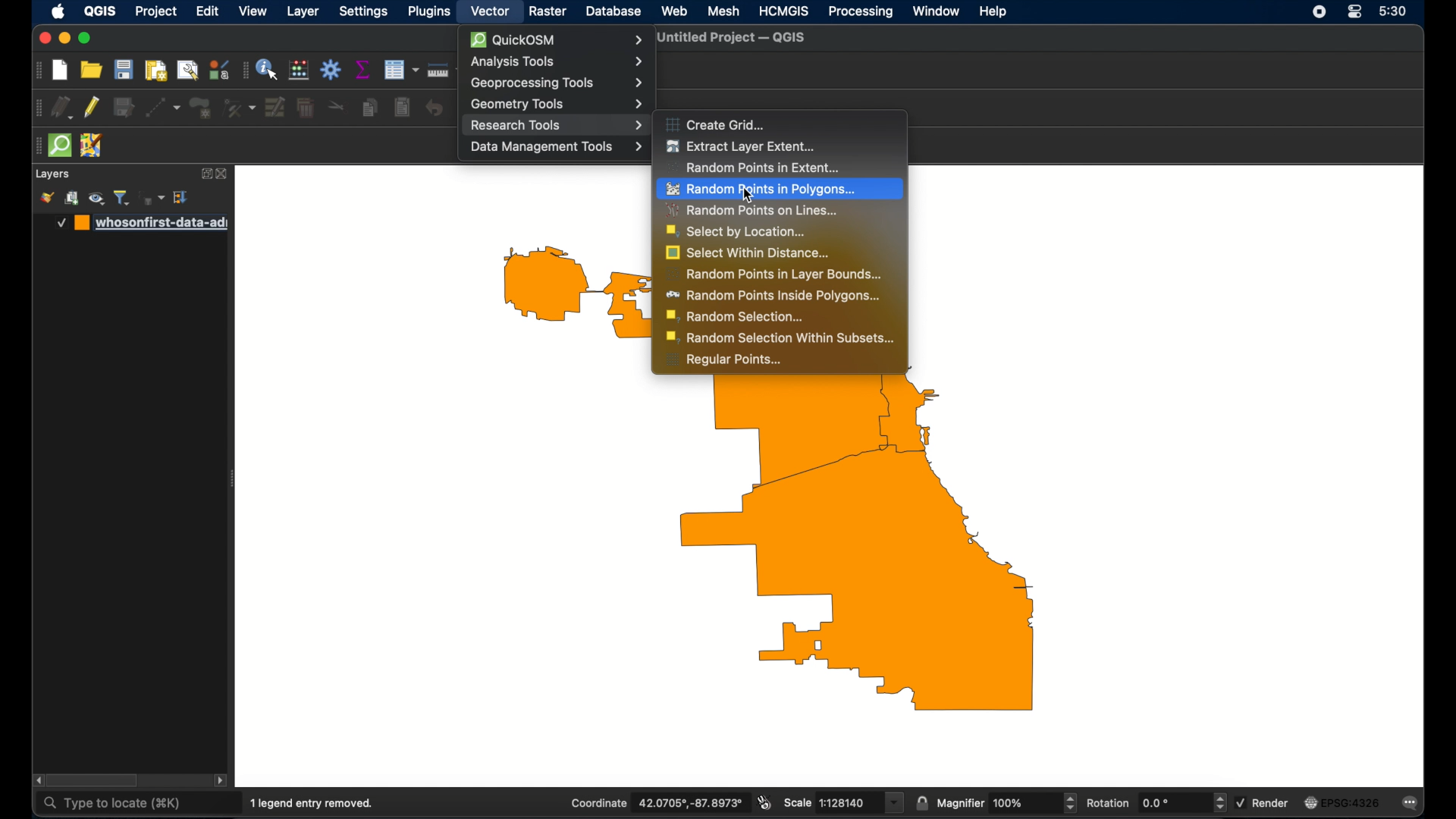 The width and height of the screenshot is (1456, 819). Describe the element at coordinates (36, 146) in the screenshot. I see `drag handle` at that location.